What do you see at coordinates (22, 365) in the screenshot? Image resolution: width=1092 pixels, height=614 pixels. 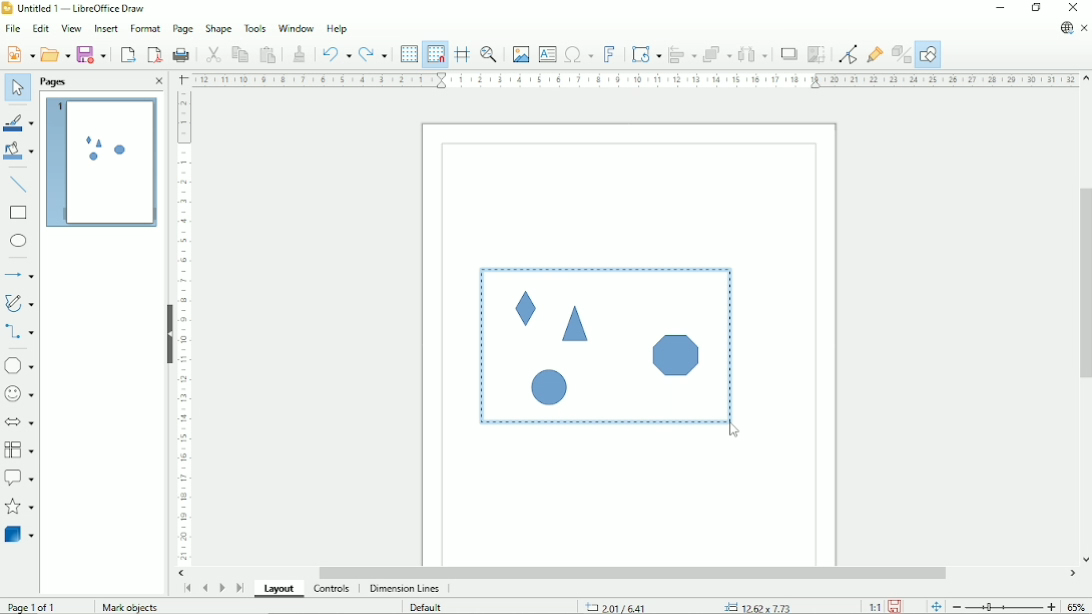 I see `Basic shapes` at bounding box center [22, 365].